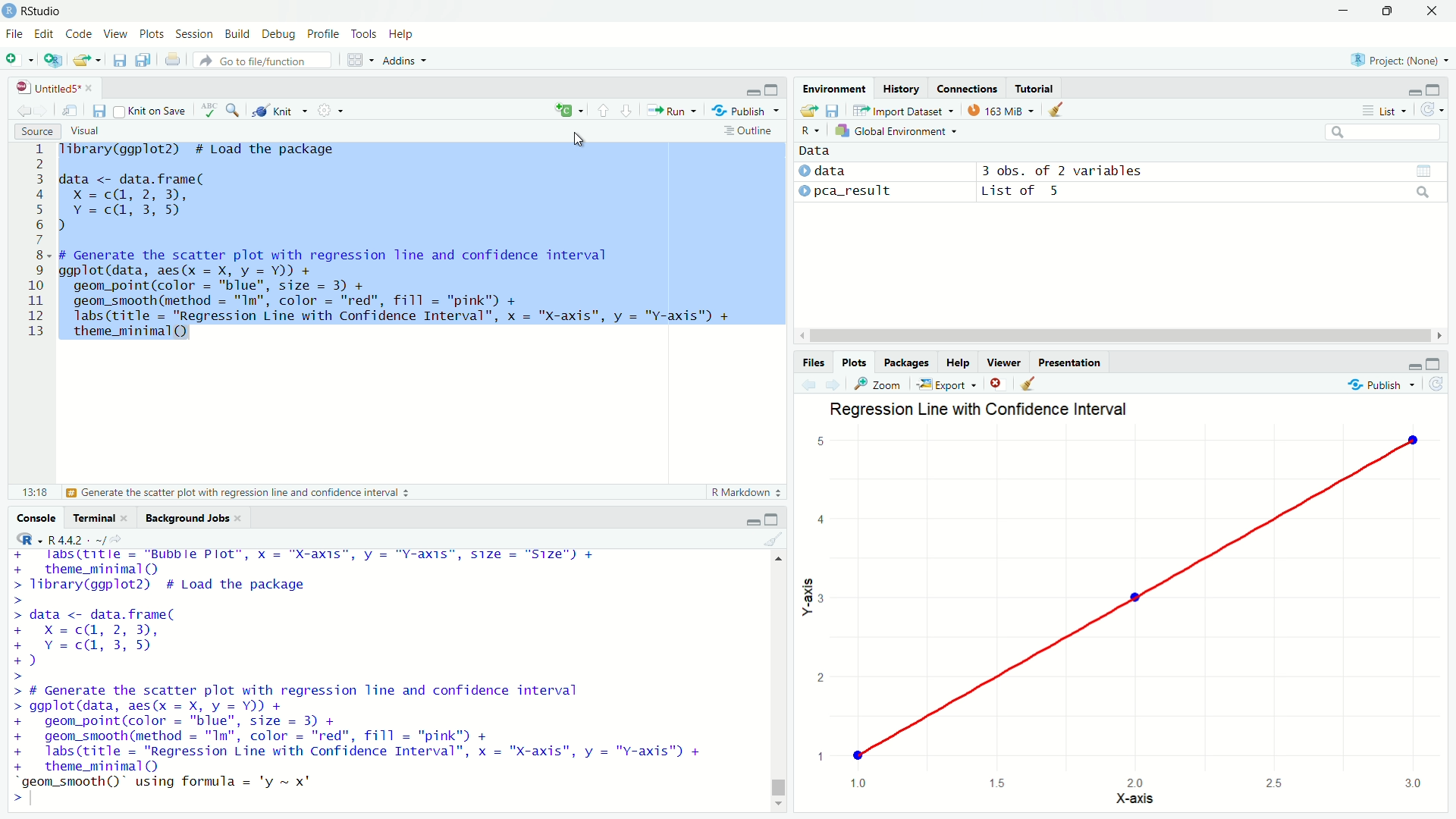 This screenshot has width=1456, height=819. I want to click on minimize, so click(1412, 364).